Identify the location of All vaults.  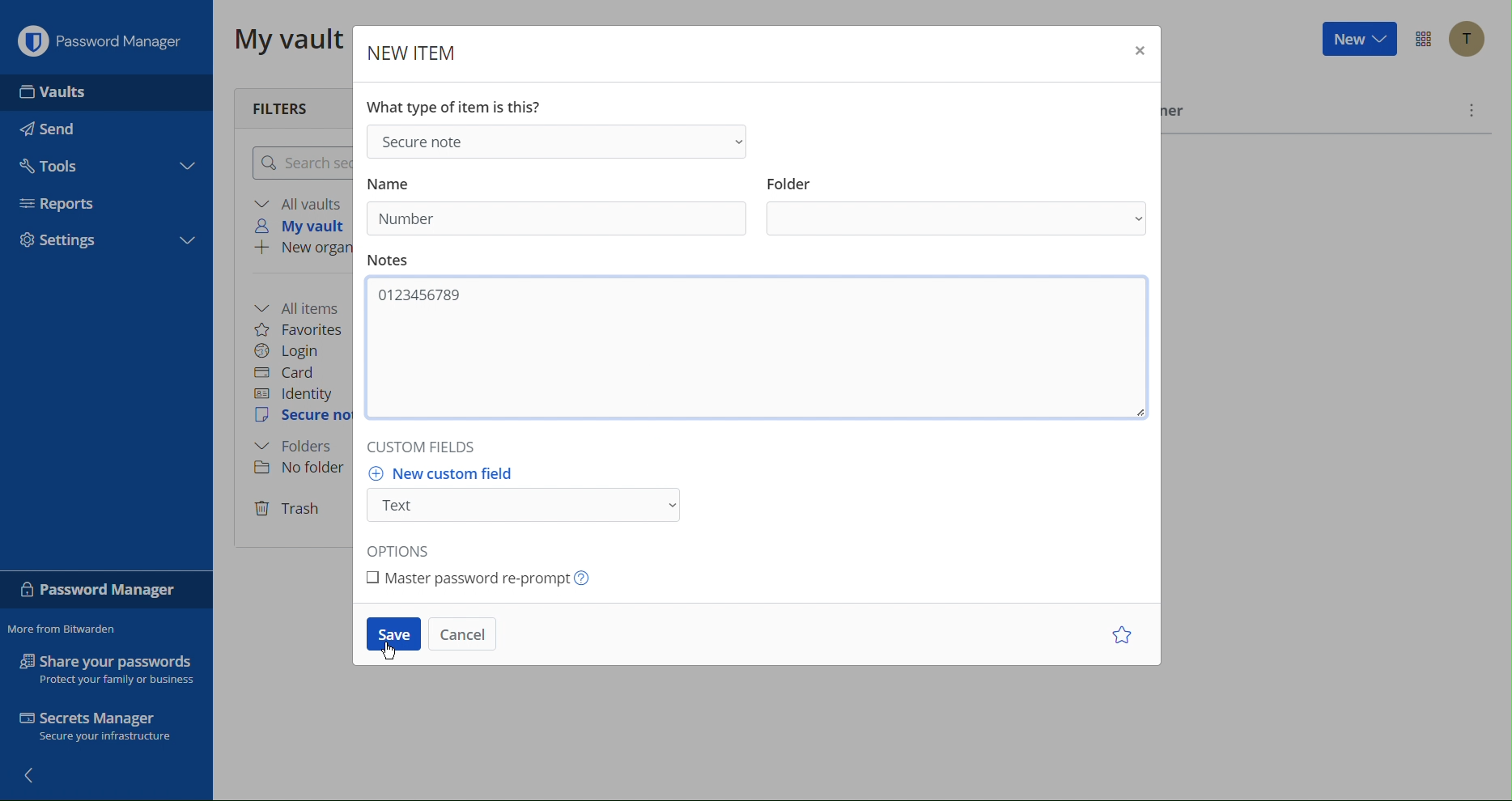
(299, 203).